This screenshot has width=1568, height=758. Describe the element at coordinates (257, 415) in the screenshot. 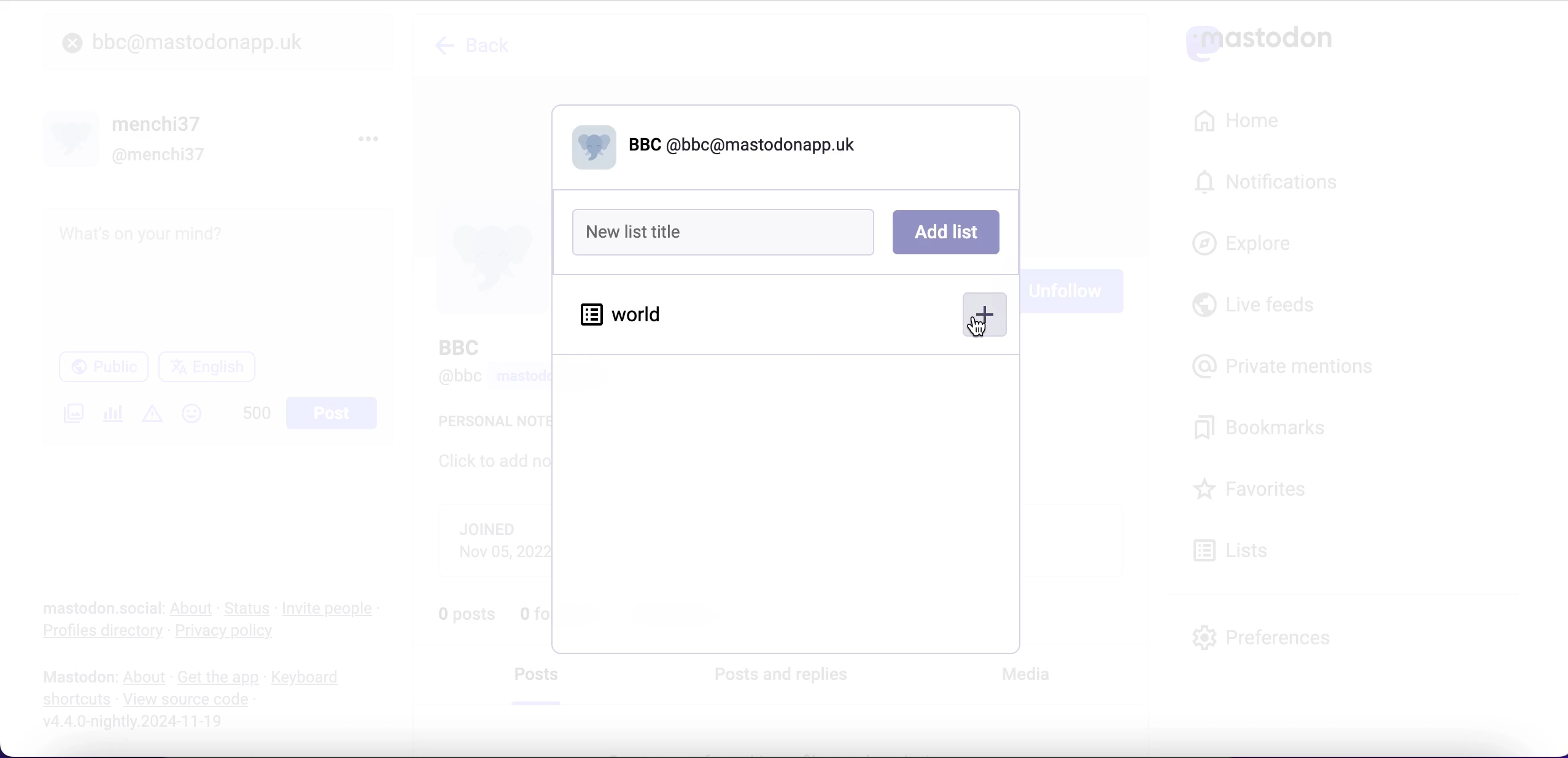

I see `characters` at that location.